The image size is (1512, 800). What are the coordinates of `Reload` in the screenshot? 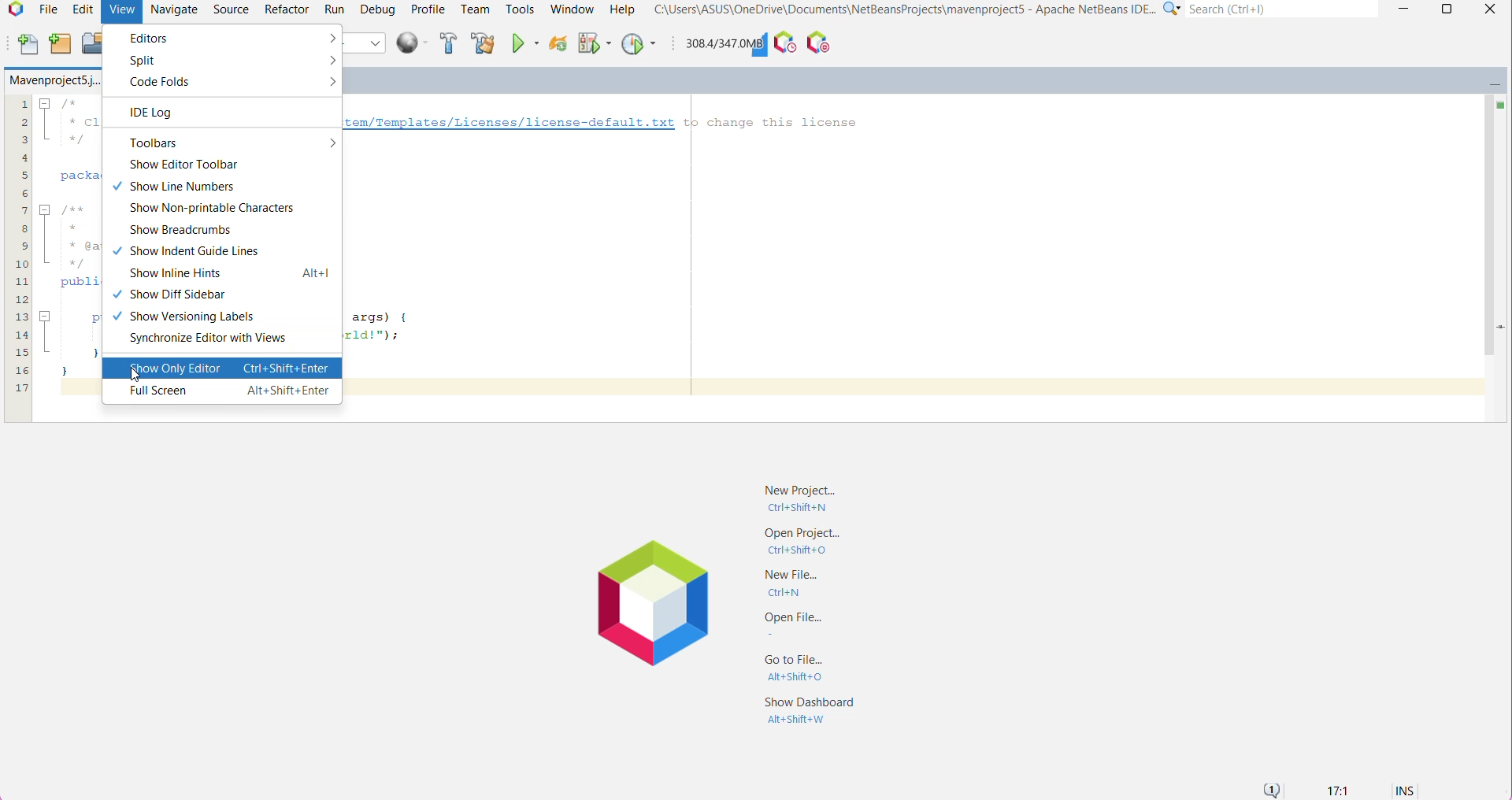 It's located at (558, 44).